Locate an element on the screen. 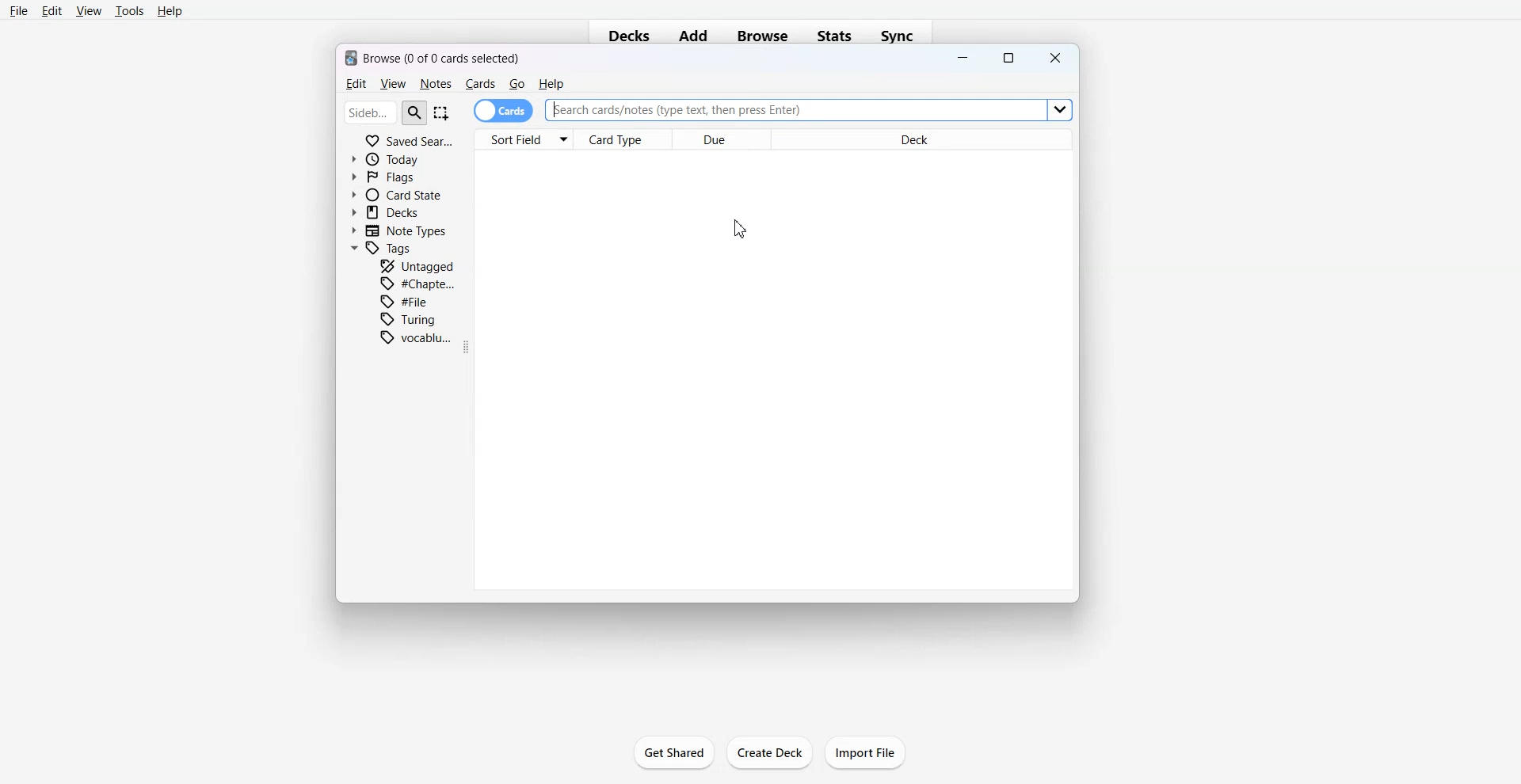 This screenshot has height=784, width=1521. Chapter is located at coordinates (419, 283).